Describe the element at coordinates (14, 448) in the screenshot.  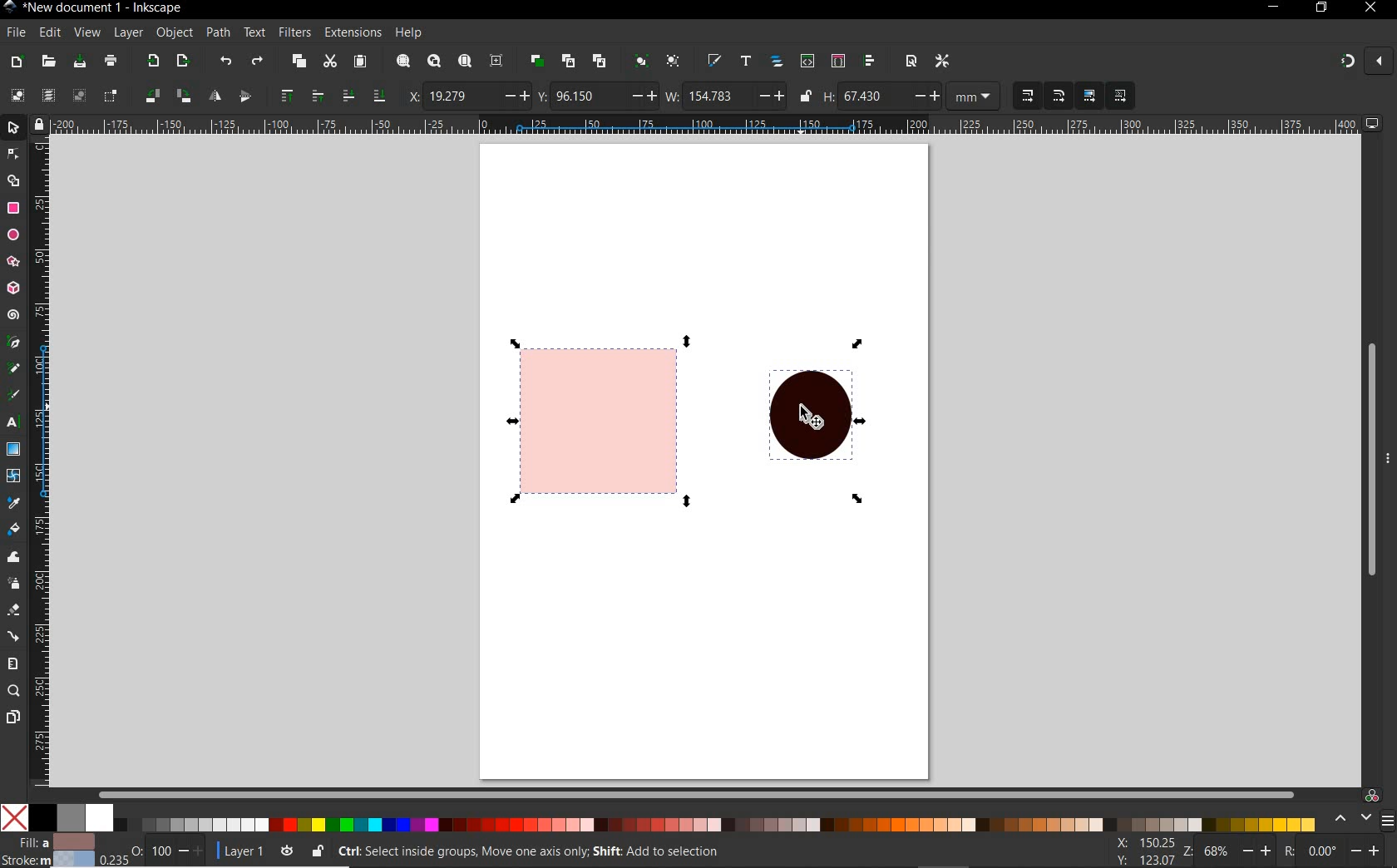
I see `gradient tool` at that location.